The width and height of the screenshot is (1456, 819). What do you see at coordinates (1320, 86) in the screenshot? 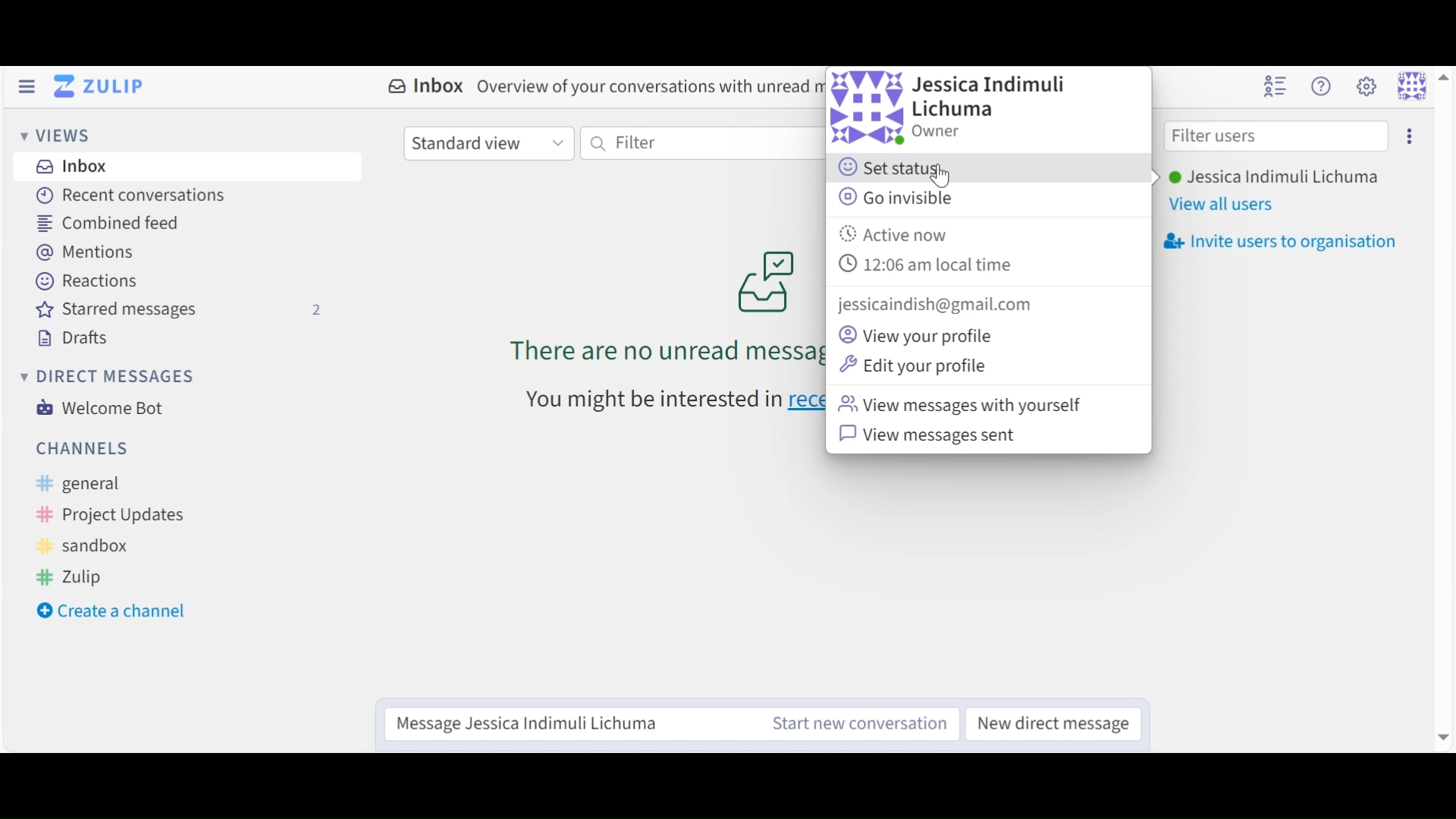
I see `Help` at bounding box center [1320, 86].